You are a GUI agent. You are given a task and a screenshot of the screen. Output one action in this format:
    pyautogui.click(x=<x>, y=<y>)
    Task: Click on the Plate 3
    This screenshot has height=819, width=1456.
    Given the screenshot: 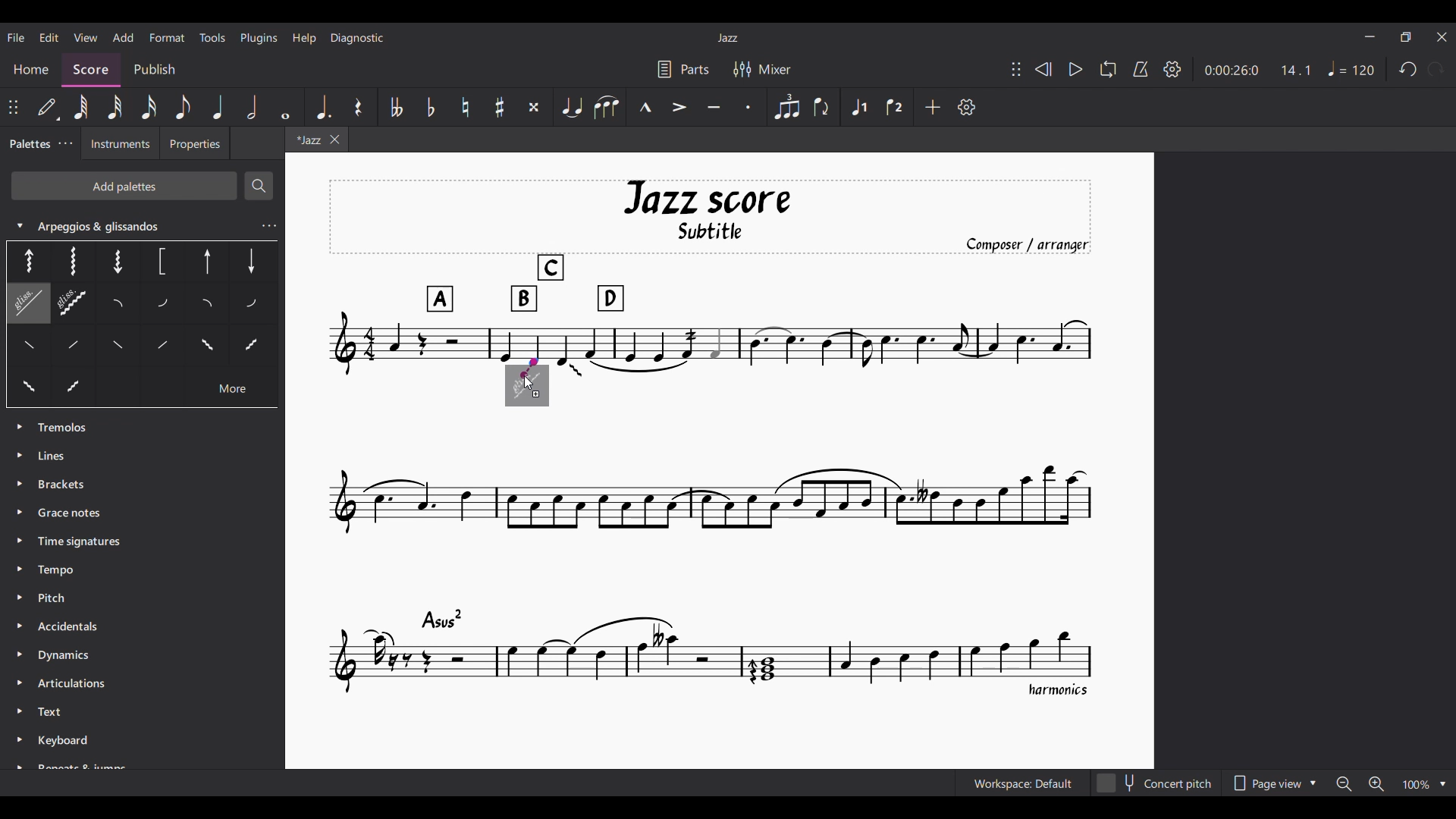 What is the action you would take?
    pyautogui.click(x=115, y=260)
    